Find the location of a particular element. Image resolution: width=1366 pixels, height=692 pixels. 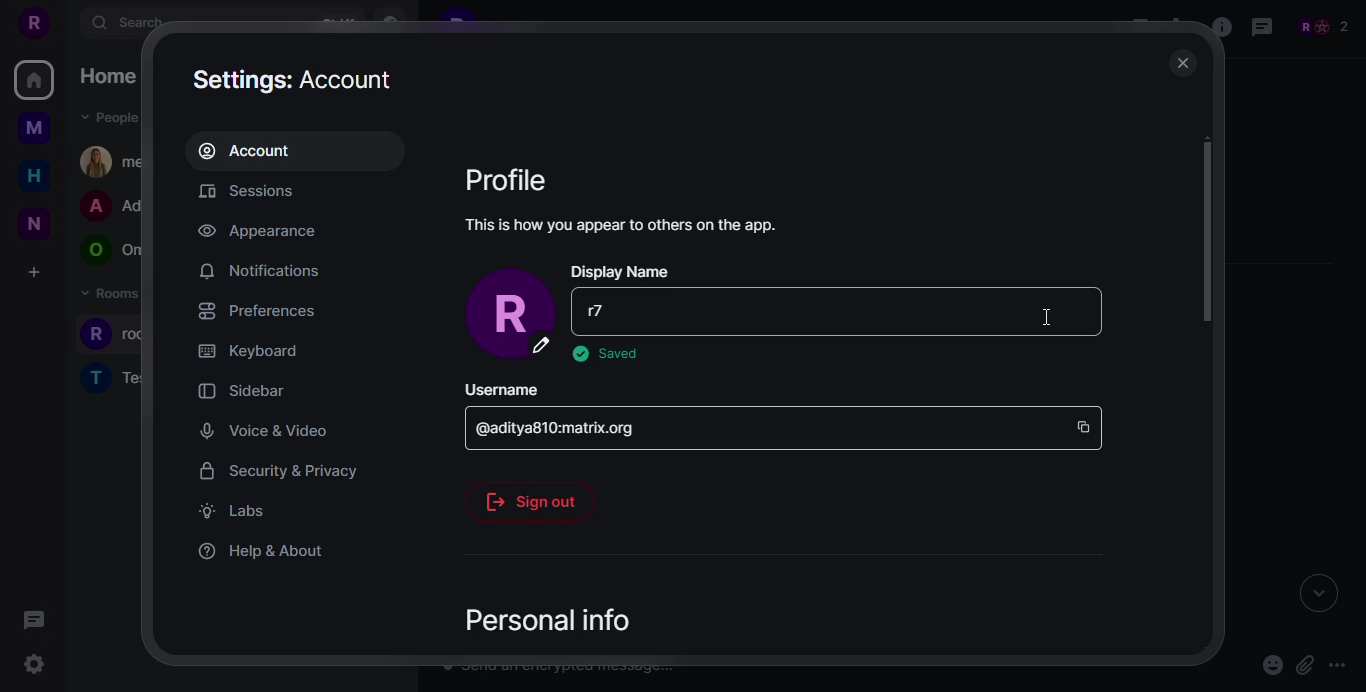

account is located at coordinates (254, 150).